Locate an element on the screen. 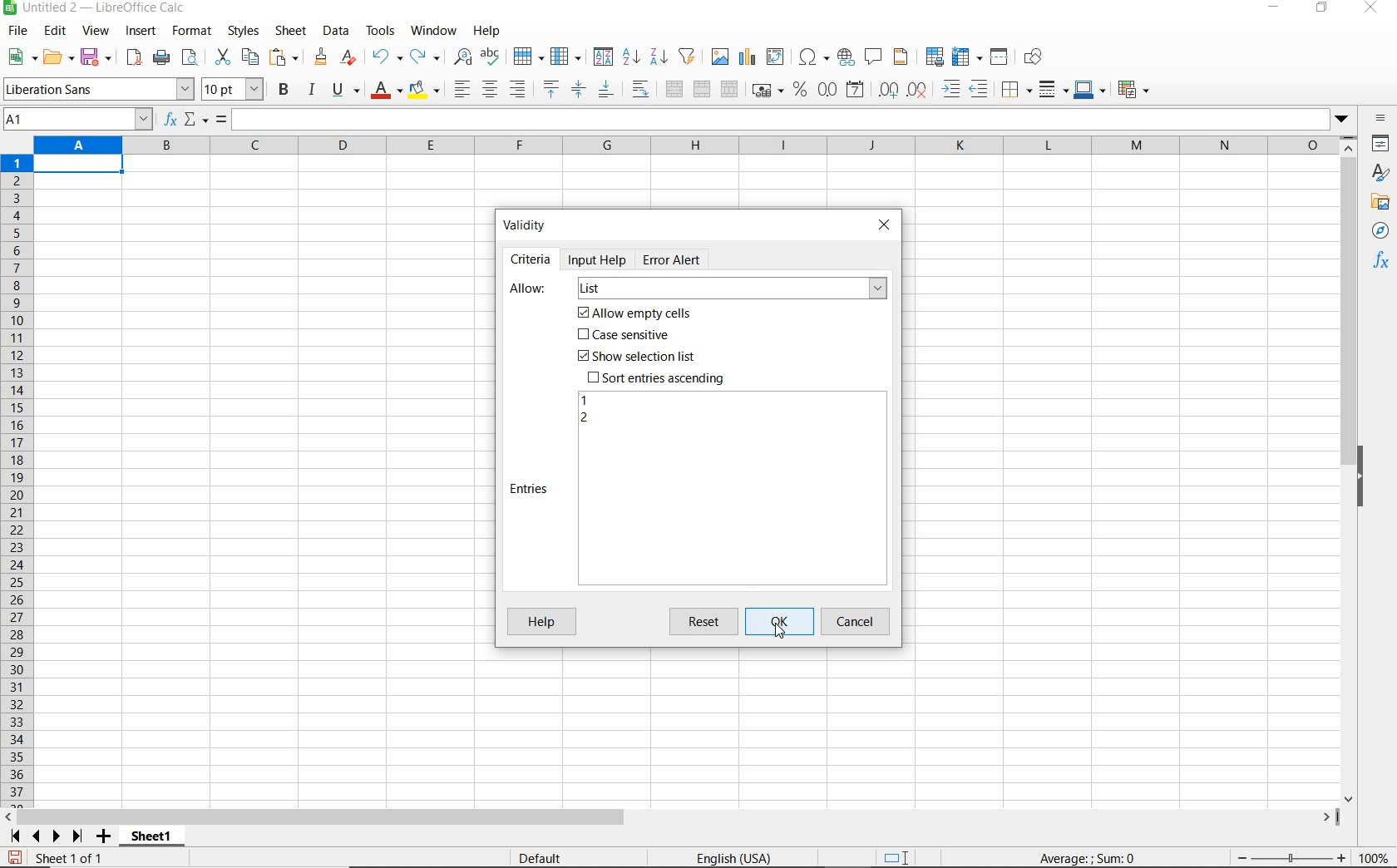 The height and width of the screenshot is (868, 1397). format as date is located at coordinates (856, 89).